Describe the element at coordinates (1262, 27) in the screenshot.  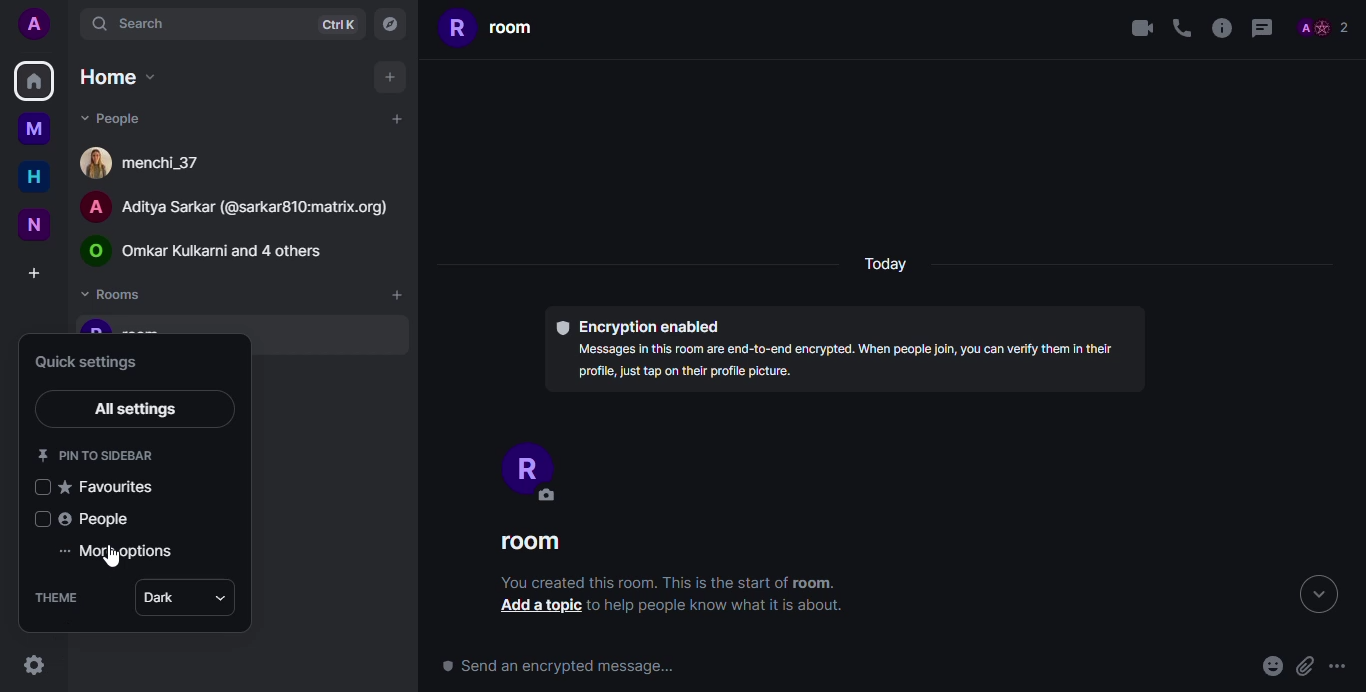
I see `threads` at that location.